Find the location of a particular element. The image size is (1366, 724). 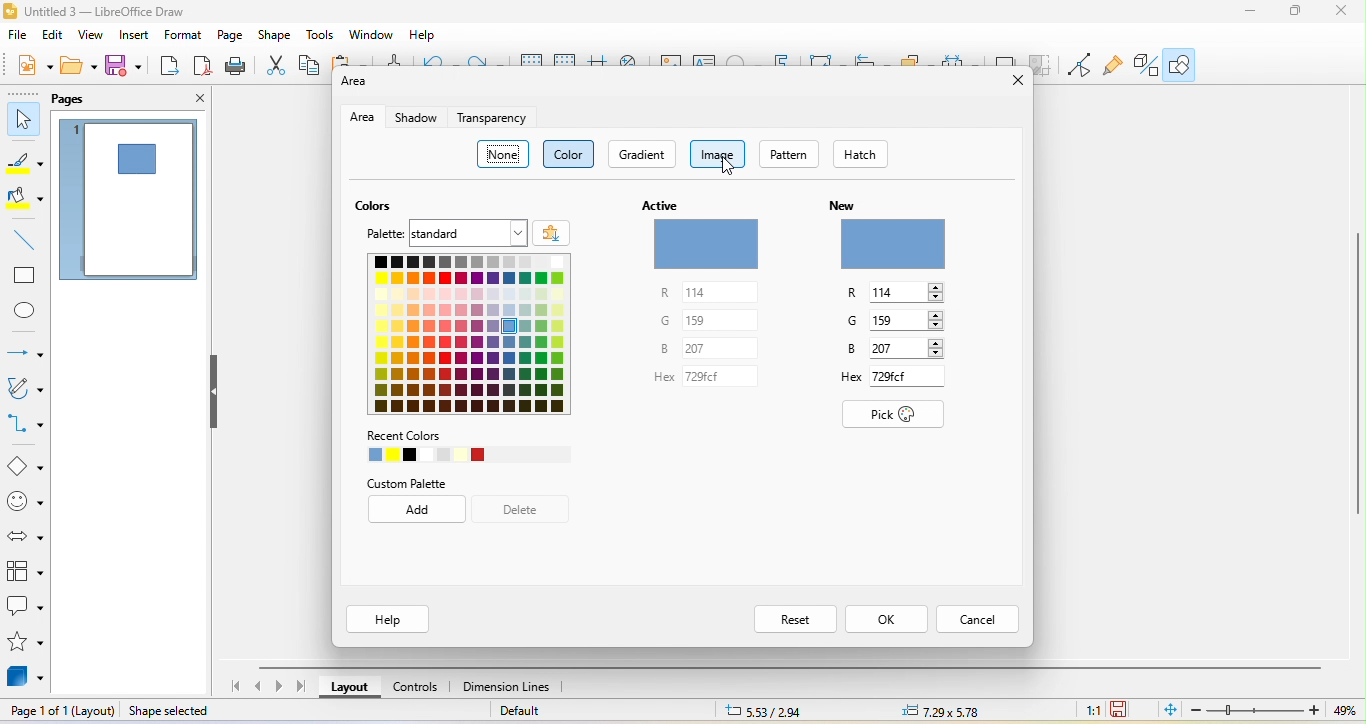

insert is located at coordinates (140, 36).